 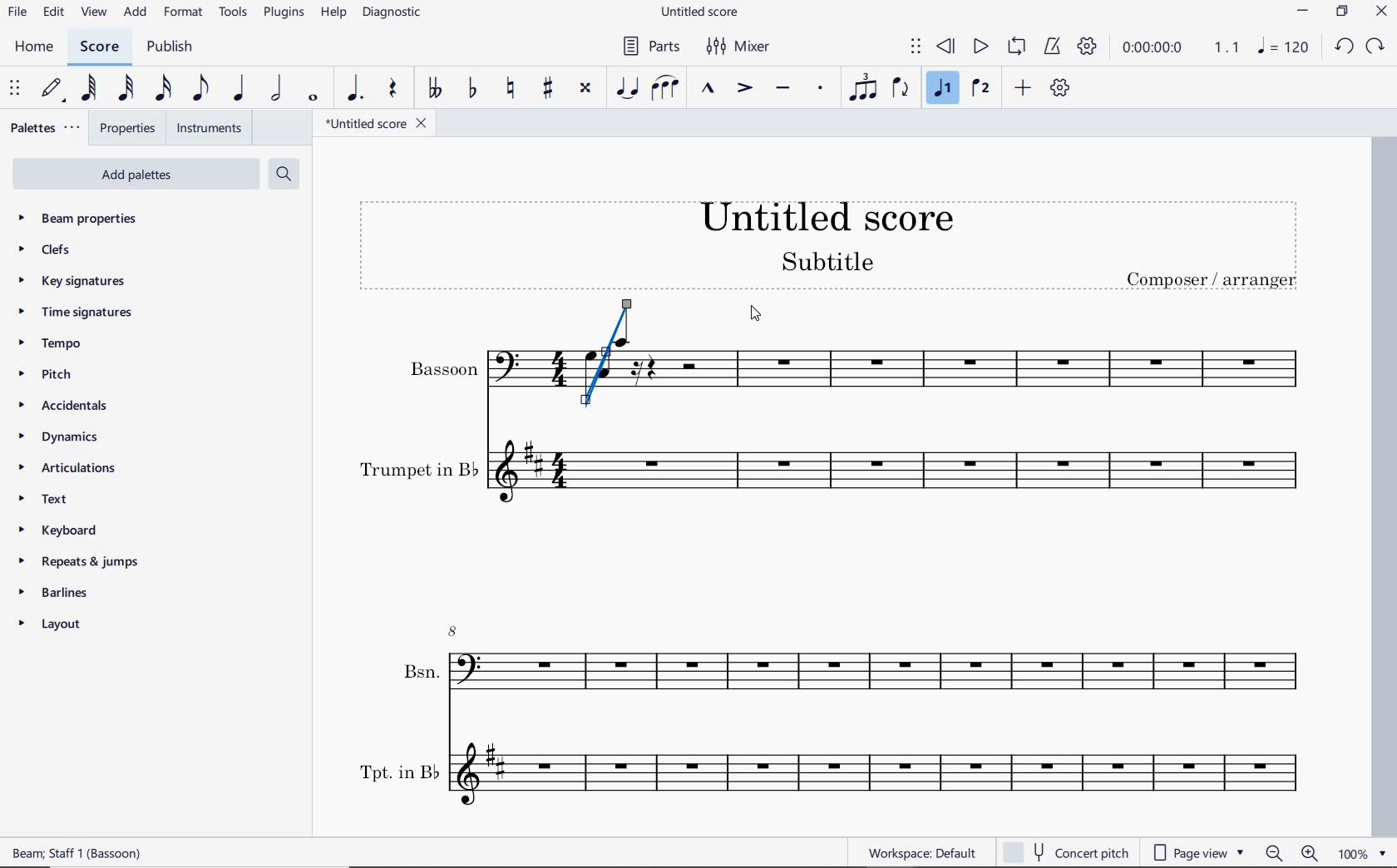 I want to click on time signatures, so click(x=72, y=313).